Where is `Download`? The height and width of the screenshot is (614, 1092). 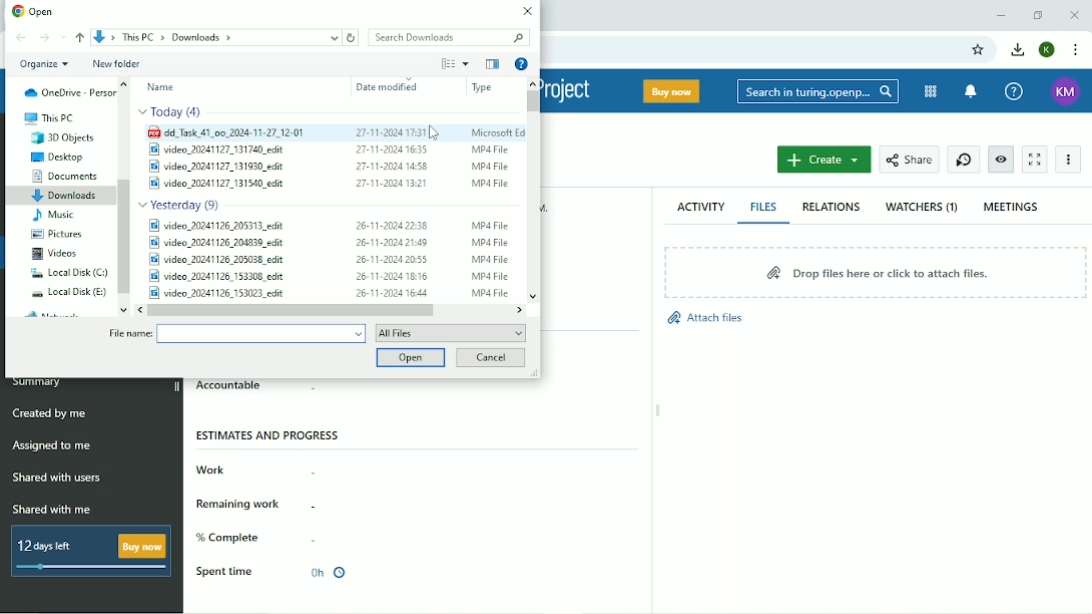
Download is located at coordinates (1018, 50).